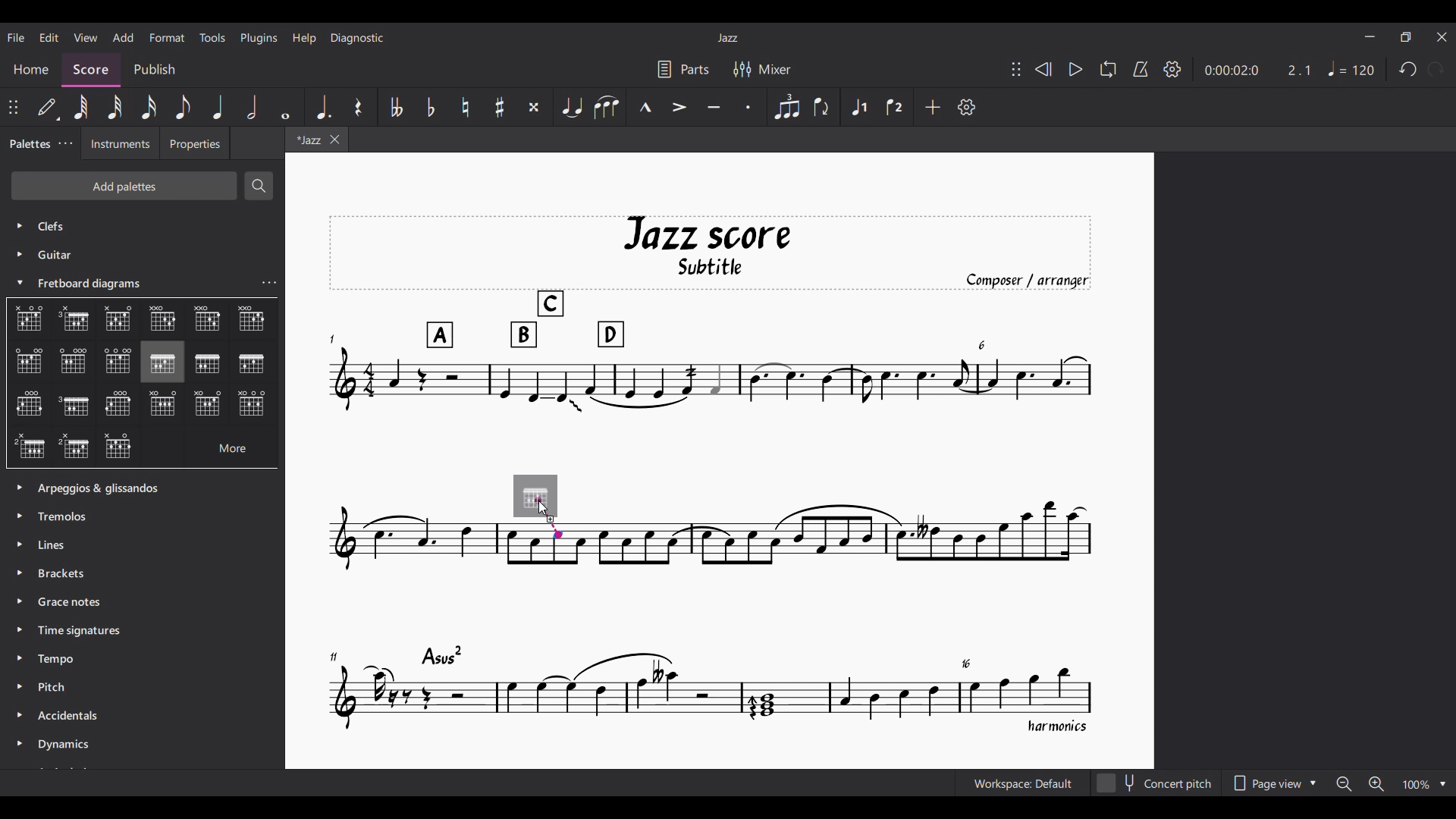 The height and width of the screenshot is (819, 1456). What do you see at coordinates (219, 447) in the screenshot?
I see `More` at bounding box center [219, 447].